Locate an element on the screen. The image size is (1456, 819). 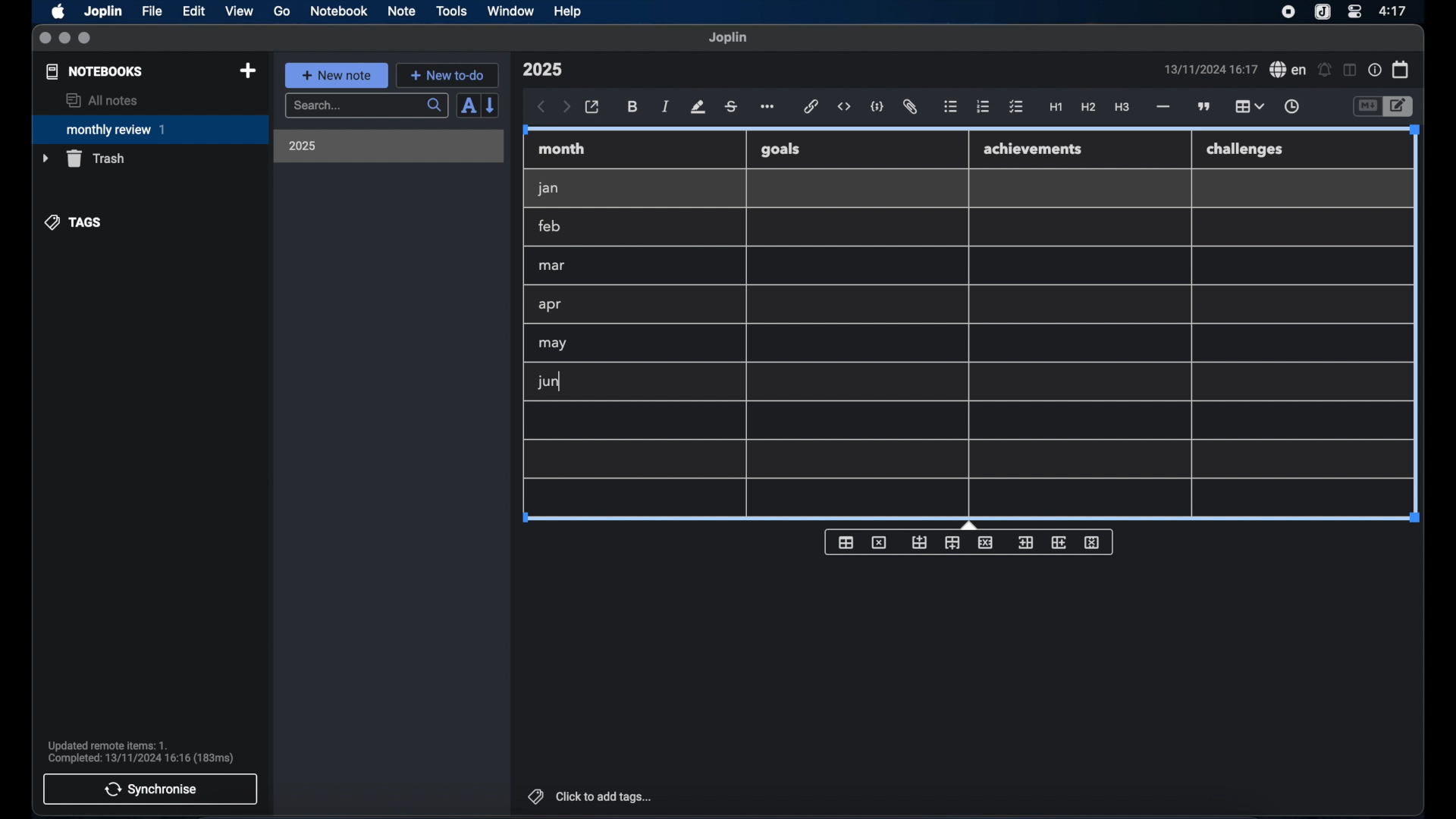
italic is located at coordinates (666, 106).